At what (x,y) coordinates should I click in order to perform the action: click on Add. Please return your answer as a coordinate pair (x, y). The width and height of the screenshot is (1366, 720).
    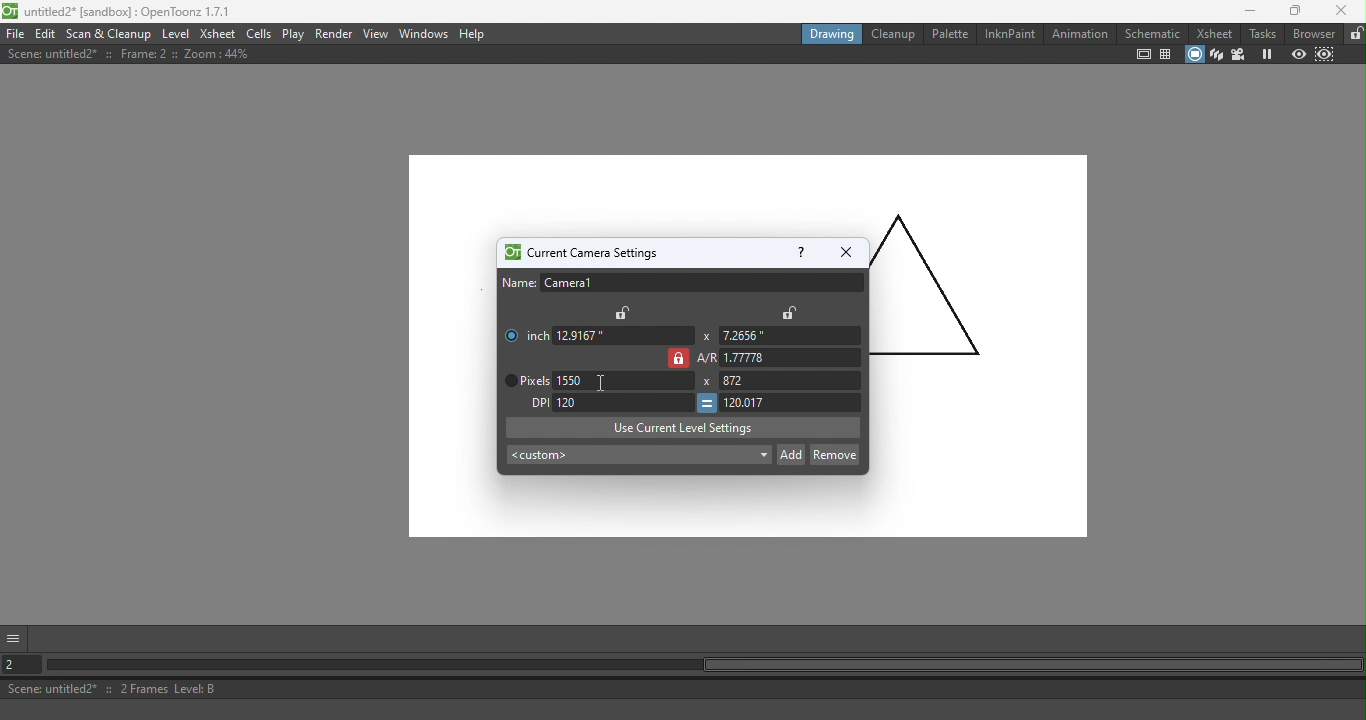
    Looking at the image, I should click on (791, 453).